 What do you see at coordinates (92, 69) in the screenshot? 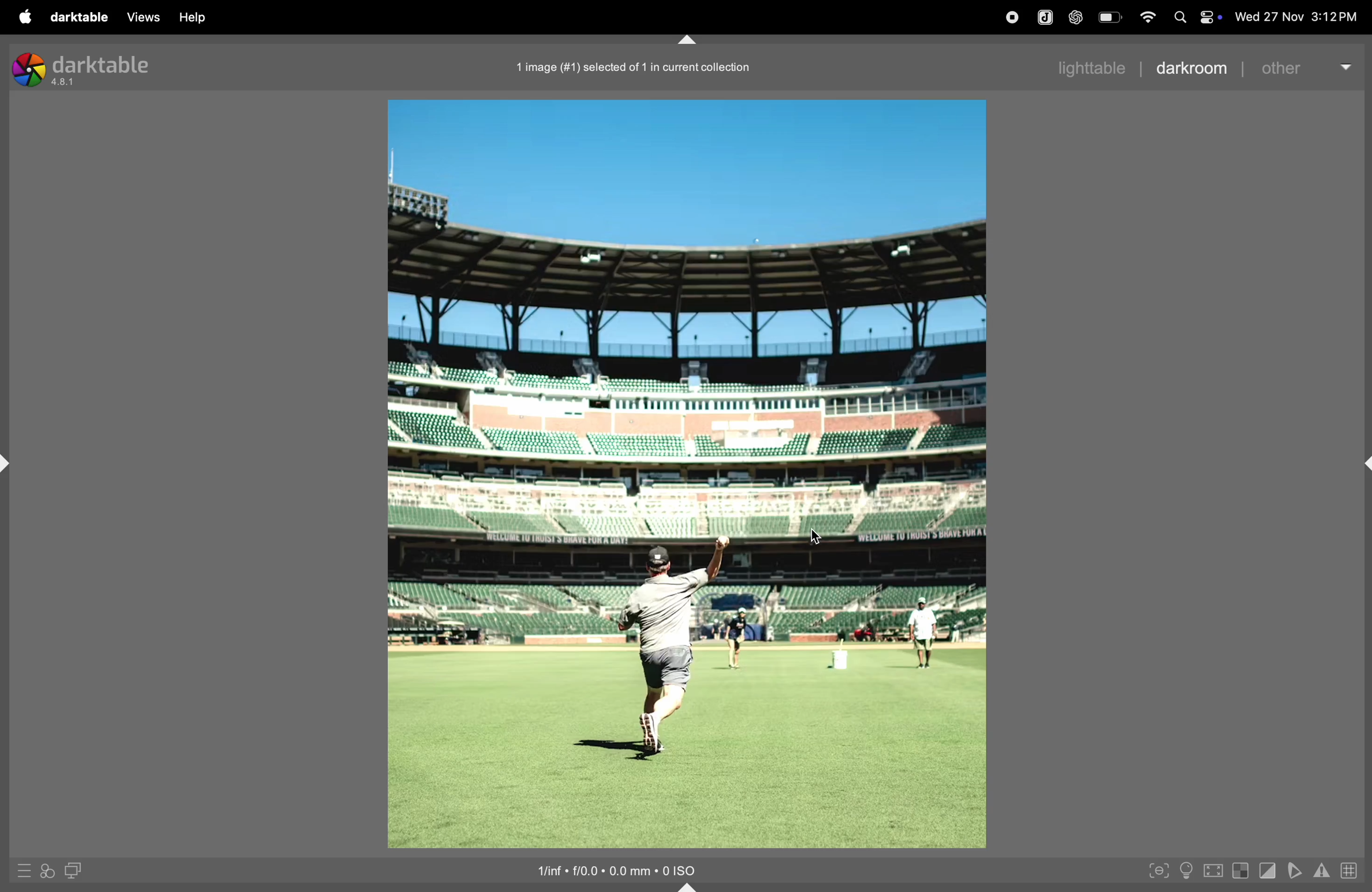
I see `darktable version` at bounding box center [92, 69].